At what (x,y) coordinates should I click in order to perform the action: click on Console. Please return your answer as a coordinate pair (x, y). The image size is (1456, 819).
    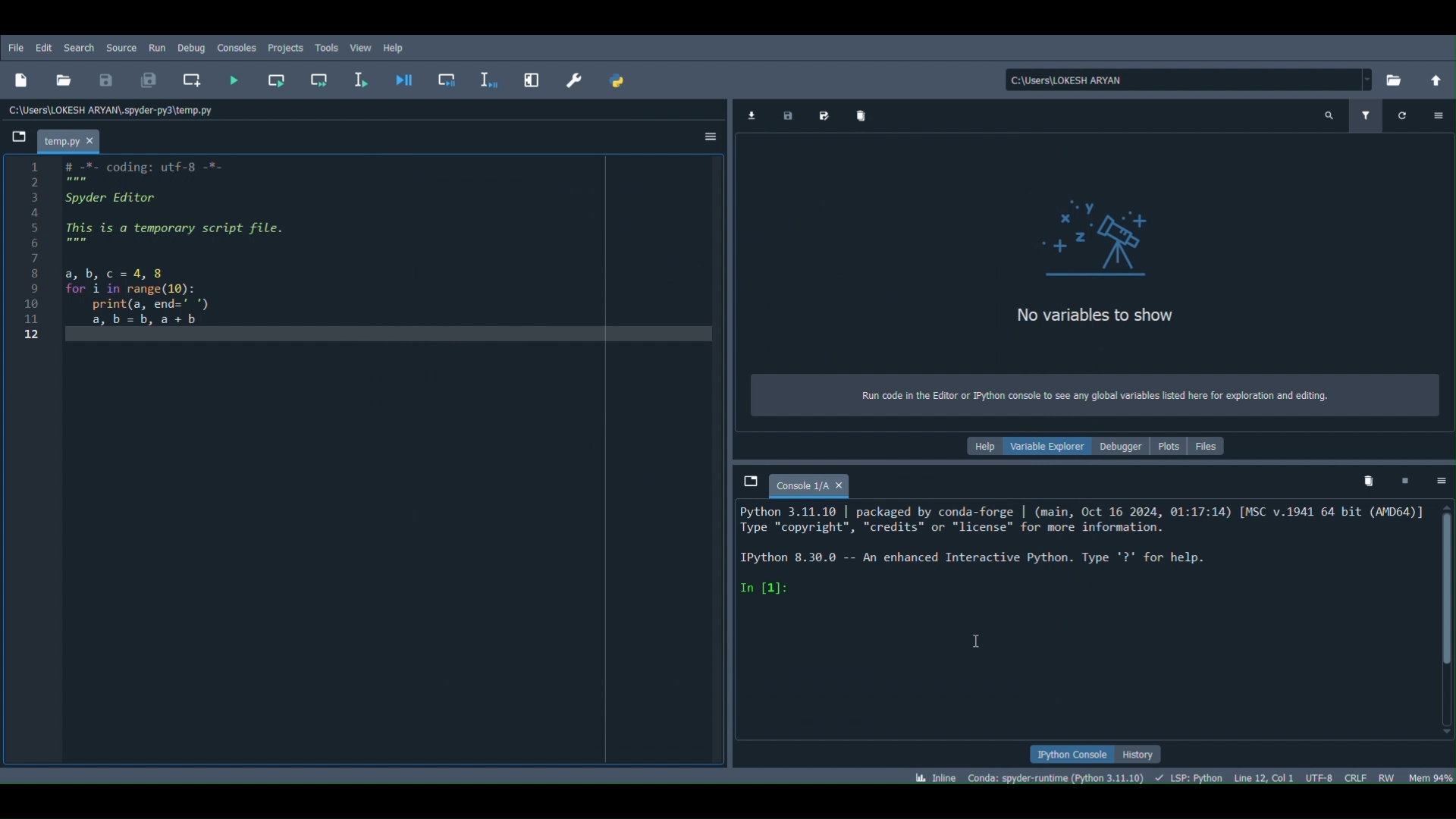
    Looking at the image, I should click on (233, 47).